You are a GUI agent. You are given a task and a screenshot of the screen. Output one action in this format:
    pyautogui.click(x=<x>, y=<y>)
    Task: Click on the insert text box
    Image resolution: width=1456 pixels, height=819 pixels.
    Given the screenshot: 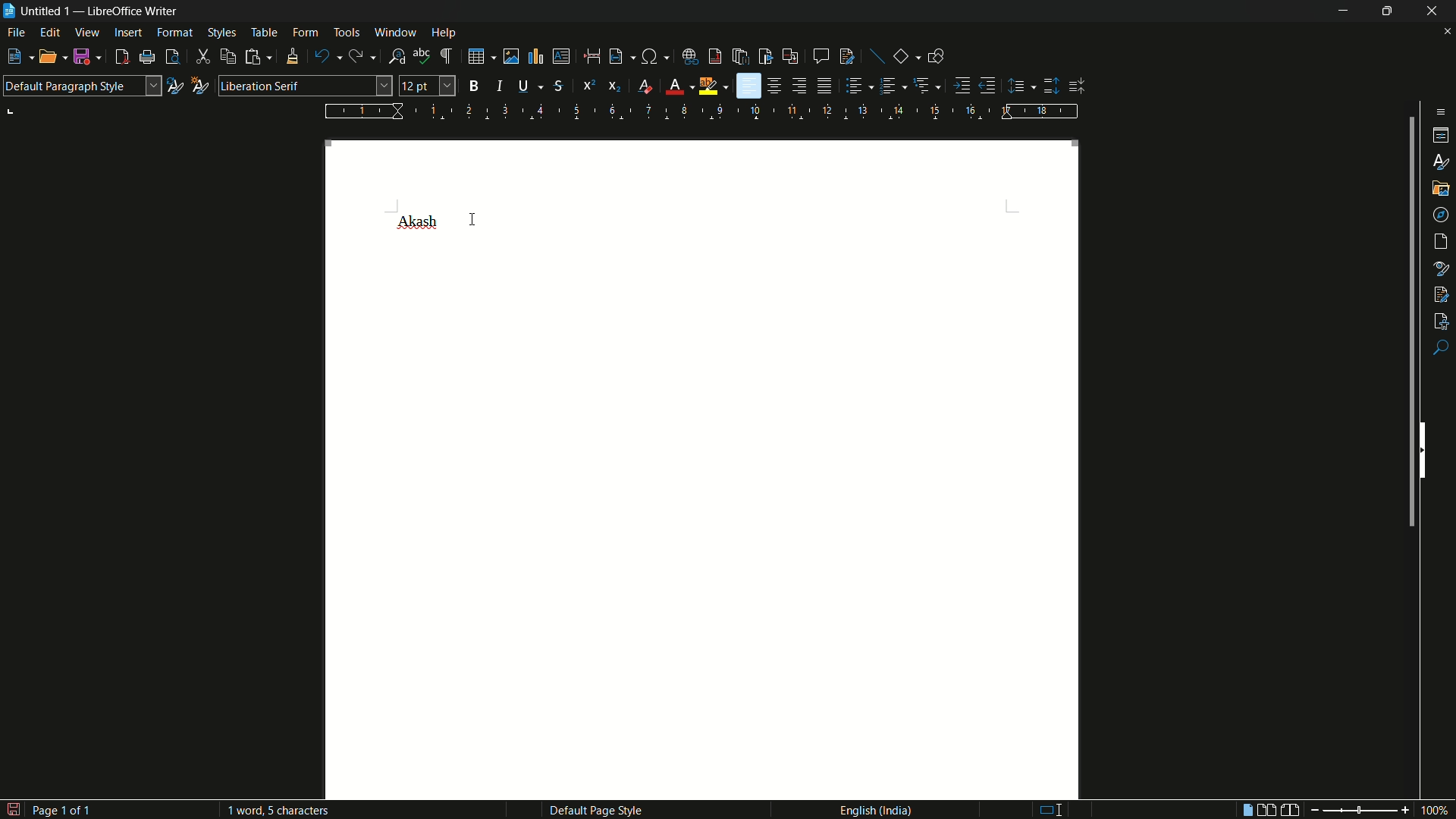 What is the action you would take?
    pyautogui.click(x=560, y=56)
    